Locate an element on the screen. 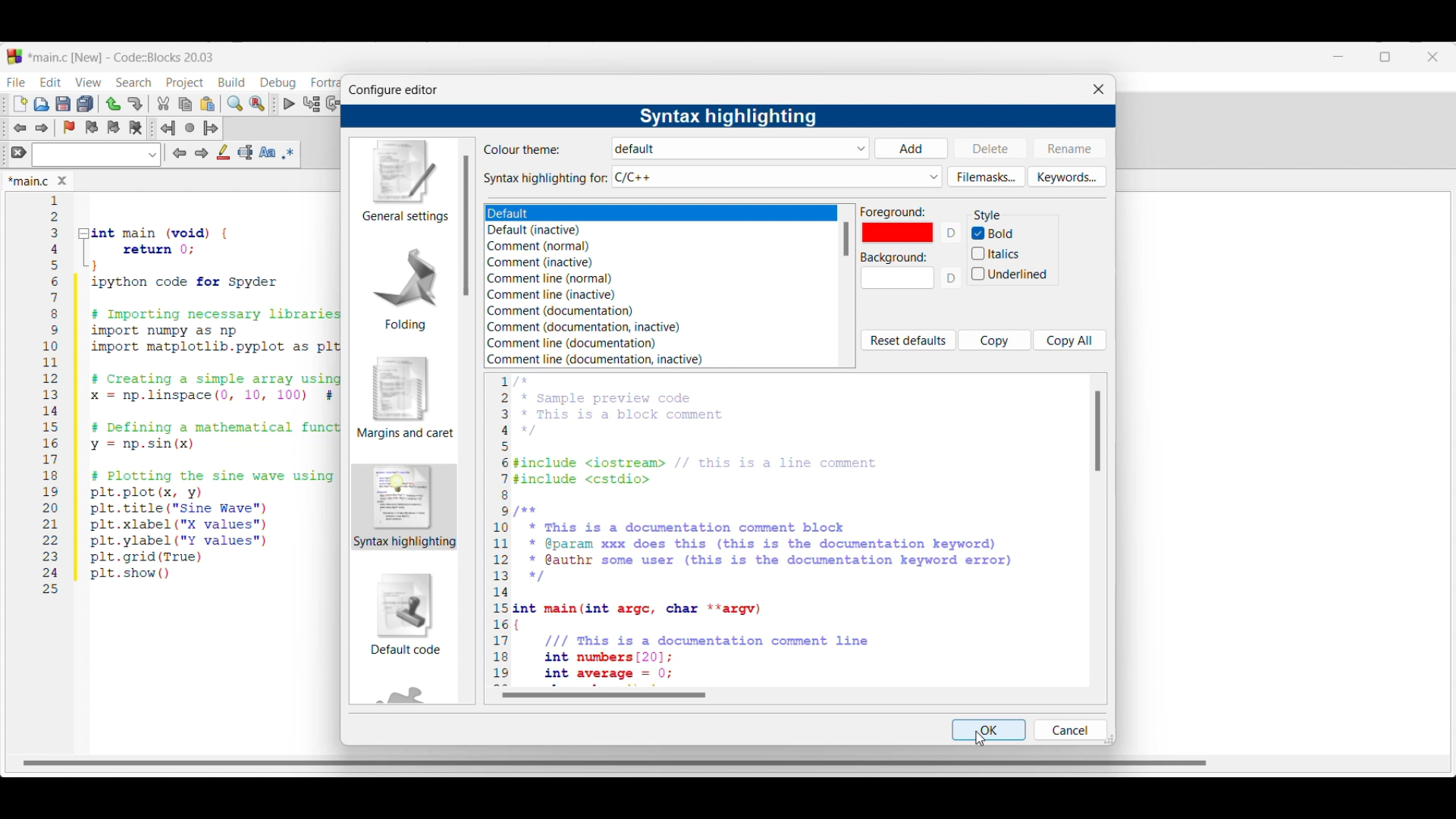 The height and width of the screenshot is (819, 1456). Default inactive is located at coordinates (543, 231).